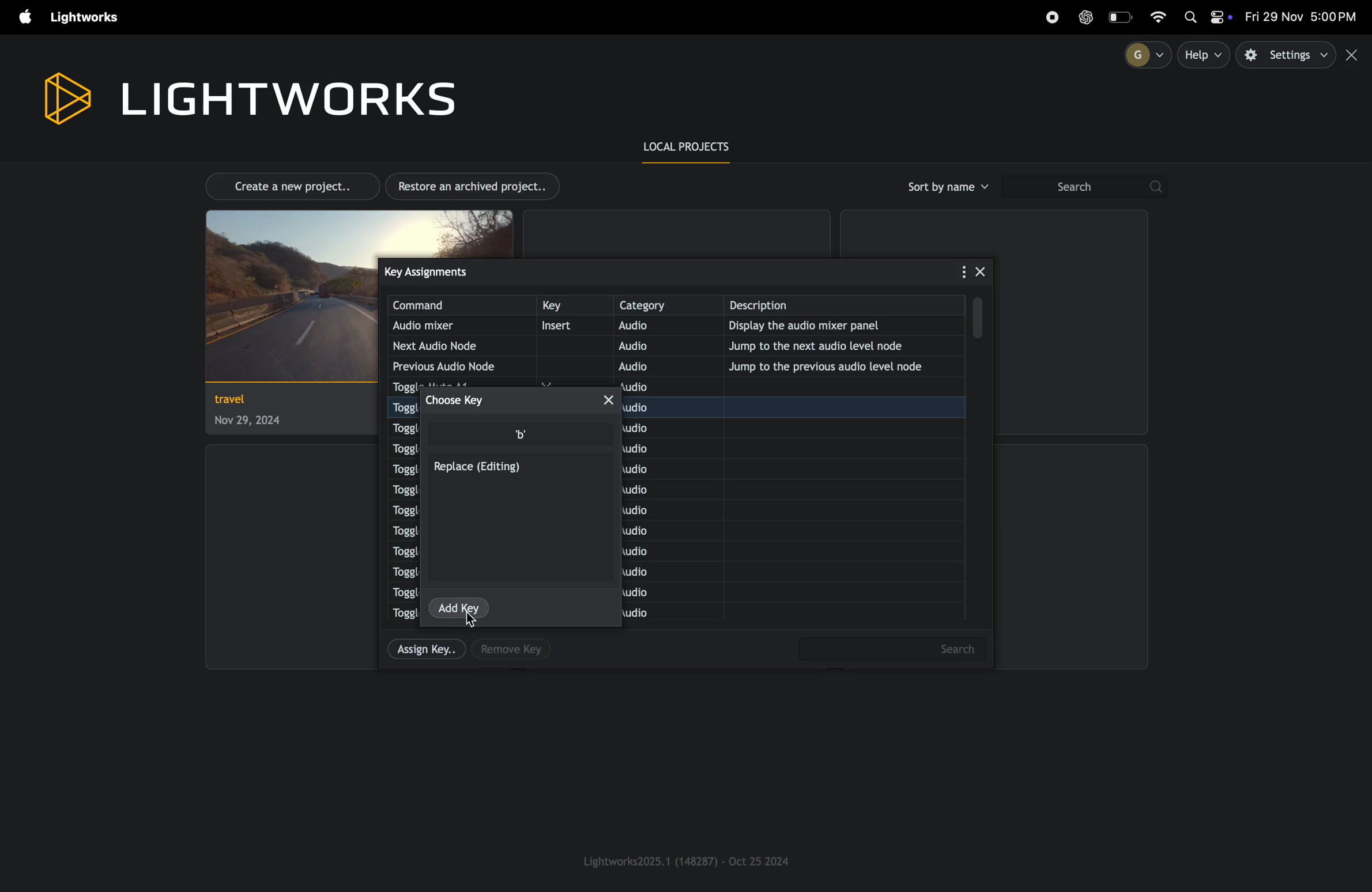  What do you see at coordinates (842, 345) in the screenshot?
I see `jump to the next audio` at bounding box center [842, 345].